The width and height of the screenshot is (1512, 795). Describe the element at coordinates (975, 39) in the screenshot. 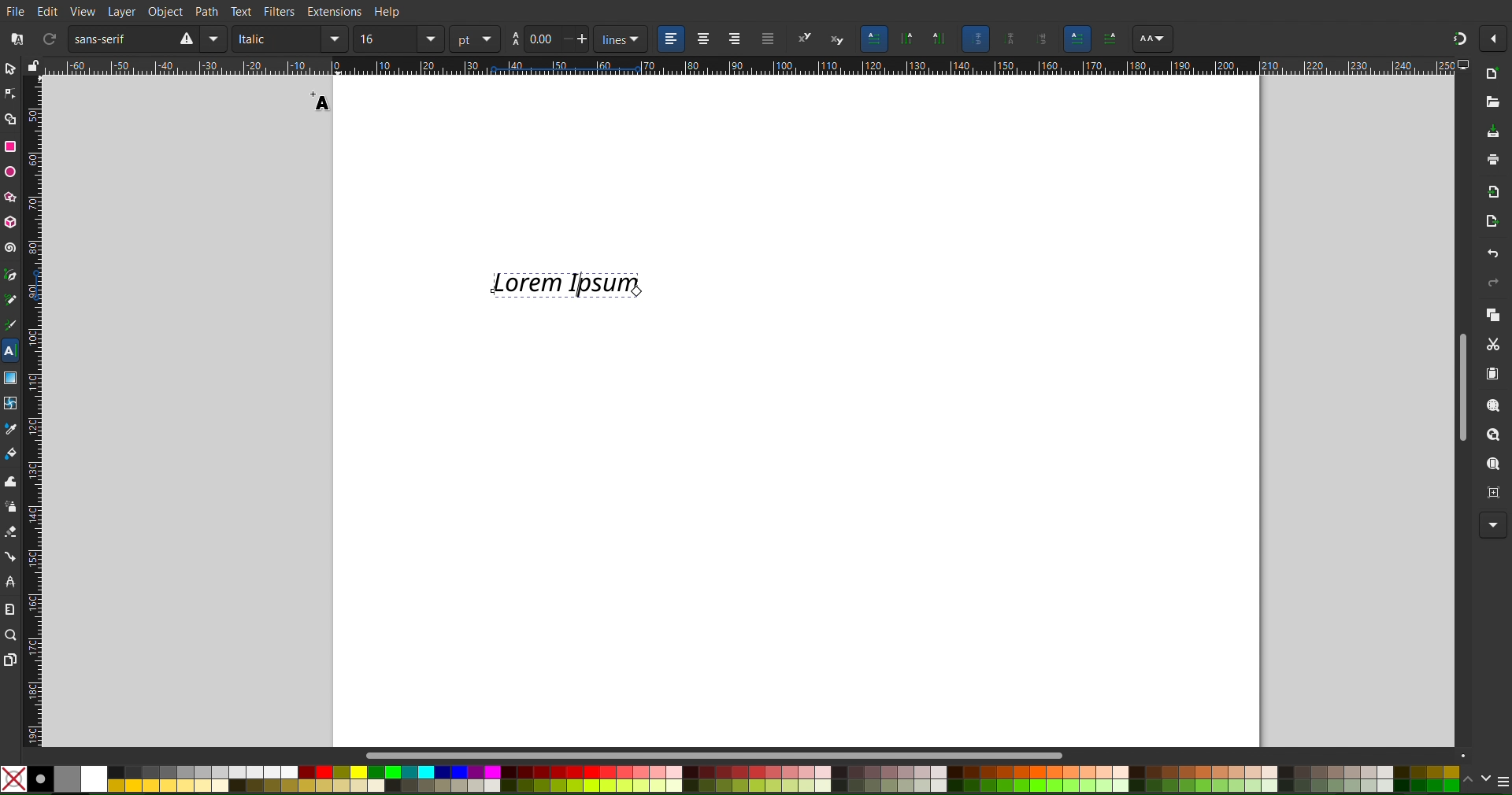

I see `Auto glyph orientation` at that location.